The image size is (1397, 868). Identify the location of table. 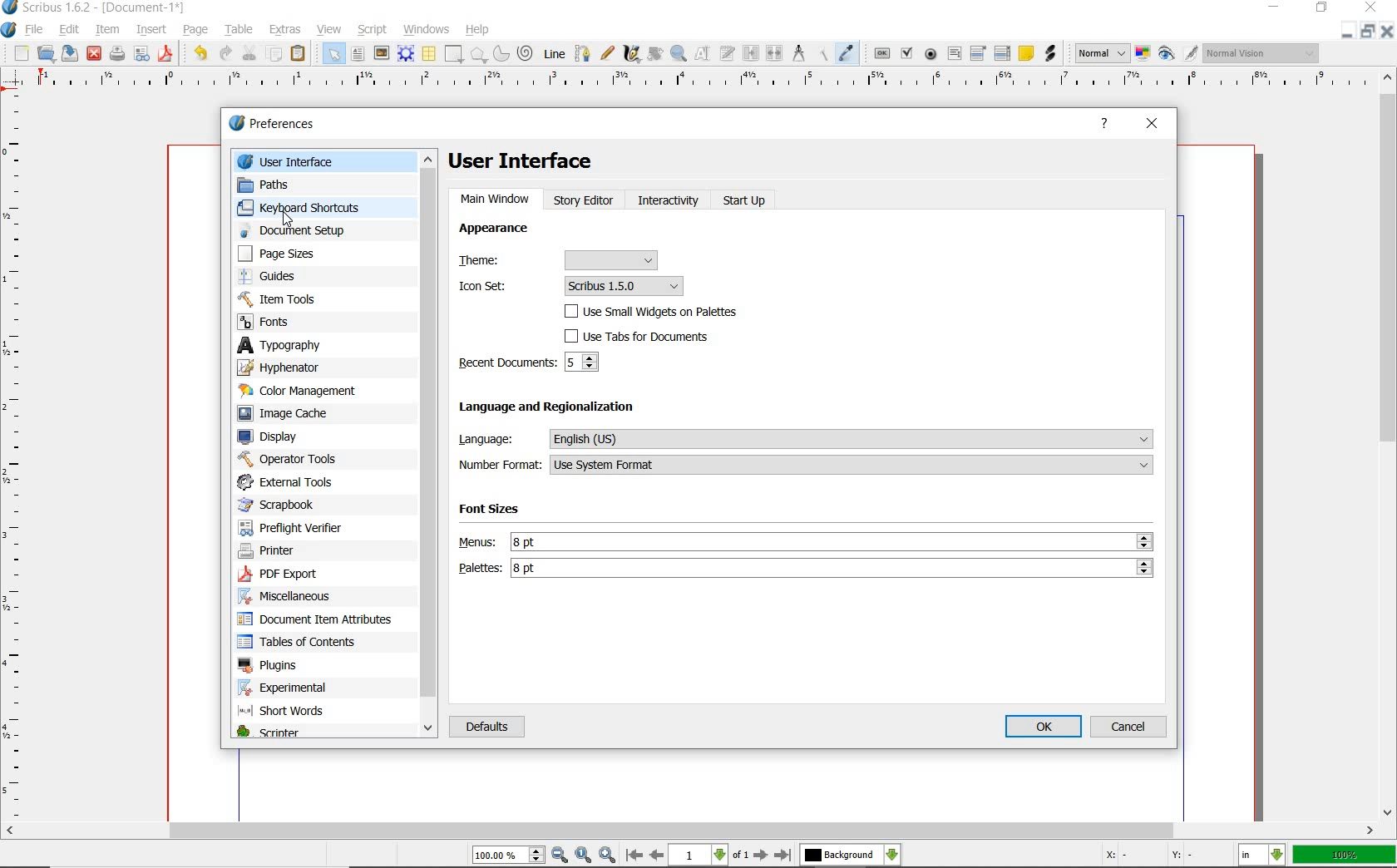
(241, 28).